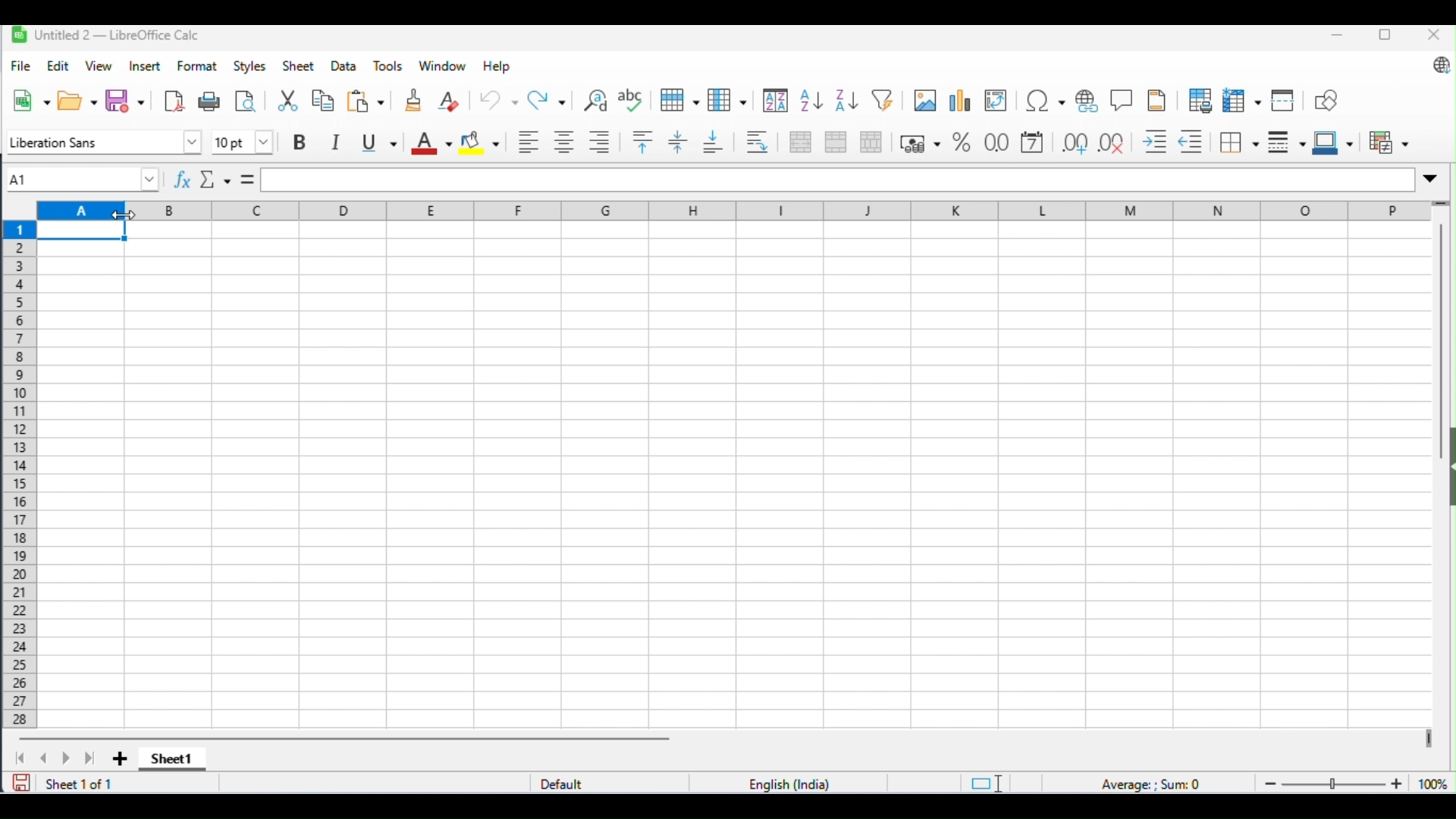 The width and height of the screenshot is (1456, 819). Describe the element at coordinates (1159, 100) in the screenshot. I see `header and footer` at that location.